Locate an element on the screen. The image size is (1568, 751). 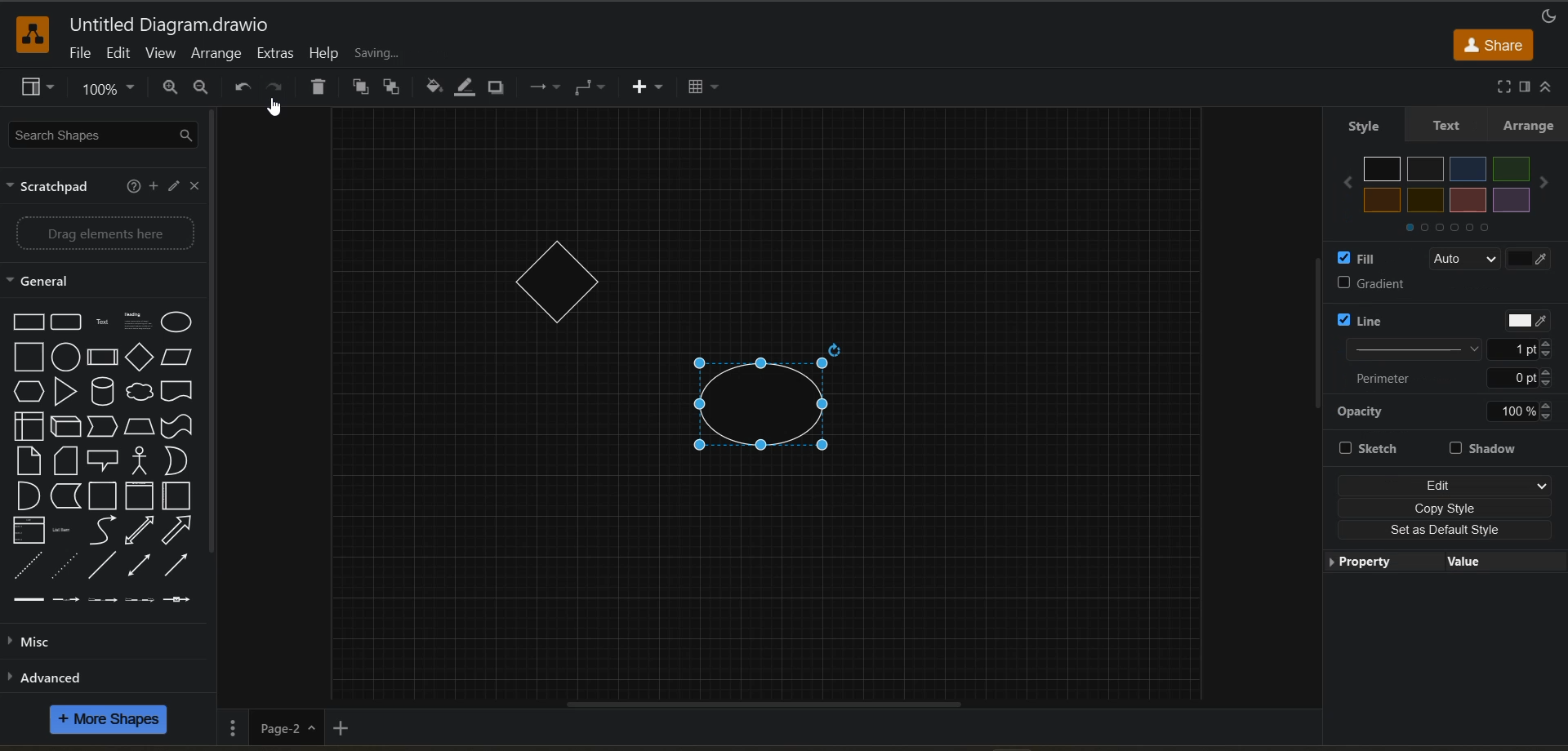
horizontal scroll bar is located at coordinates (760, 704).